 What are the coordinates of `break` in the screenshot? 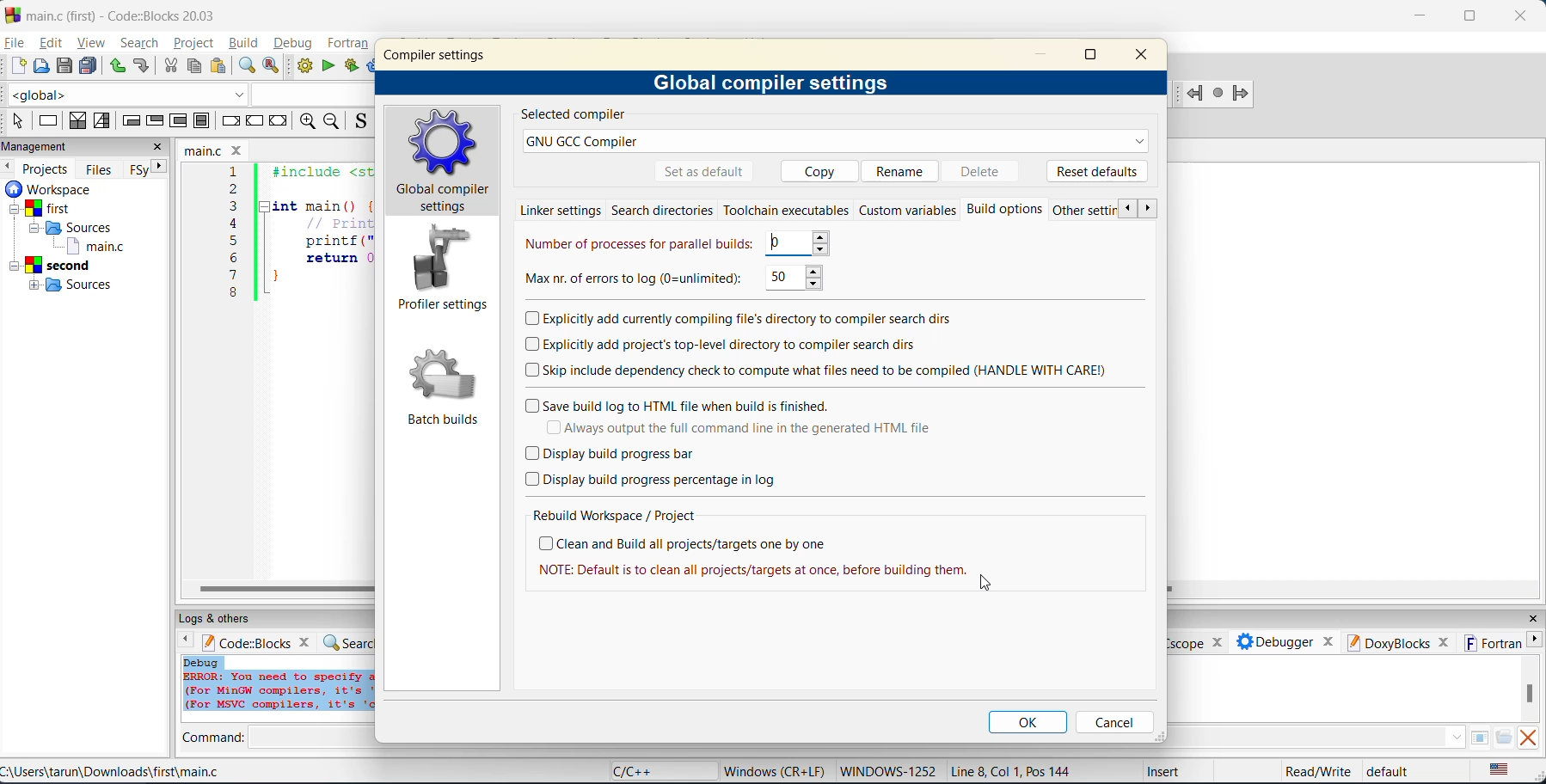 It's located at (229, 119).